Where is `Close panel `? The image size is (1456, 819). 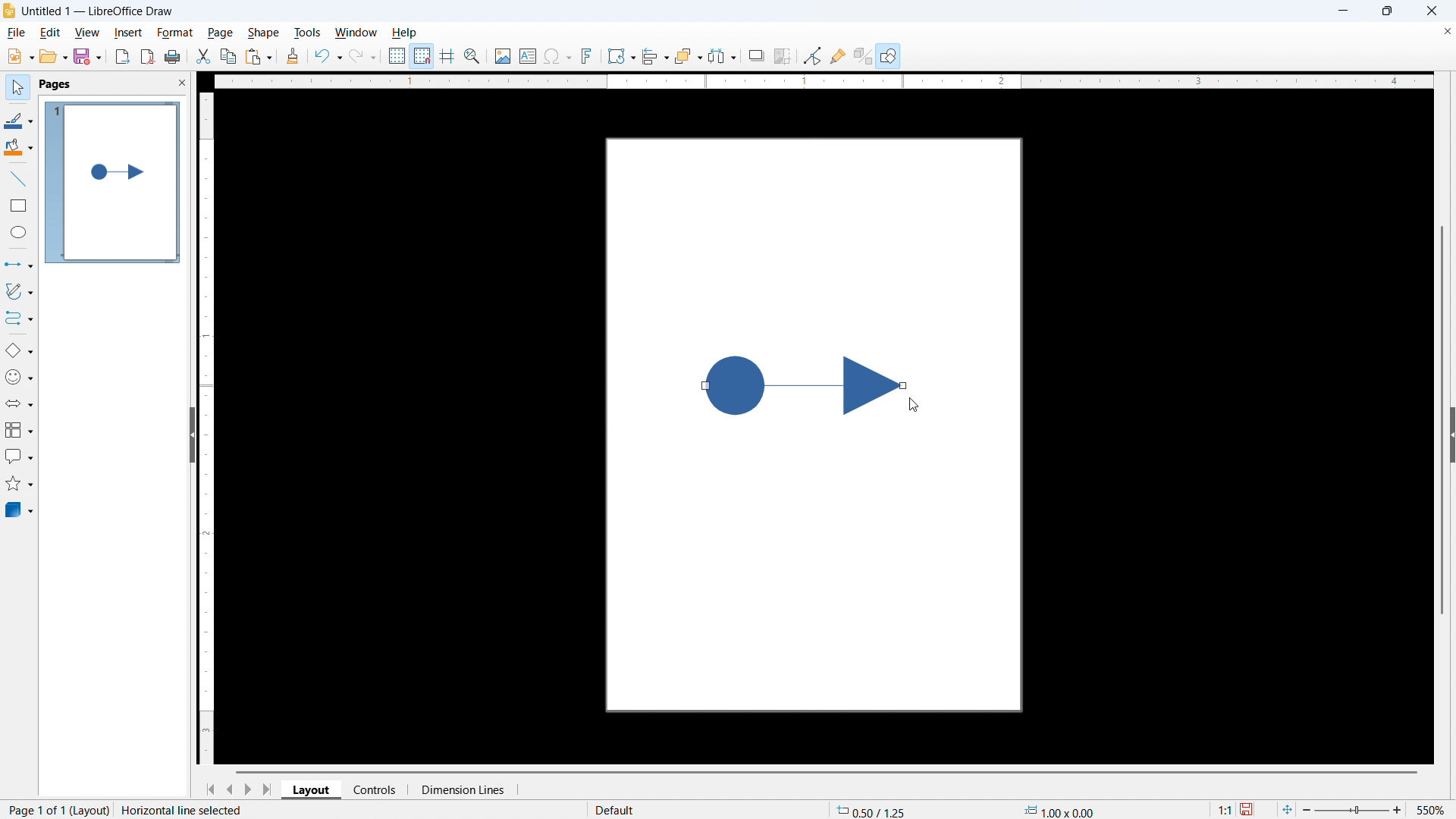 Close panel  is located at coordinates (181, 82).